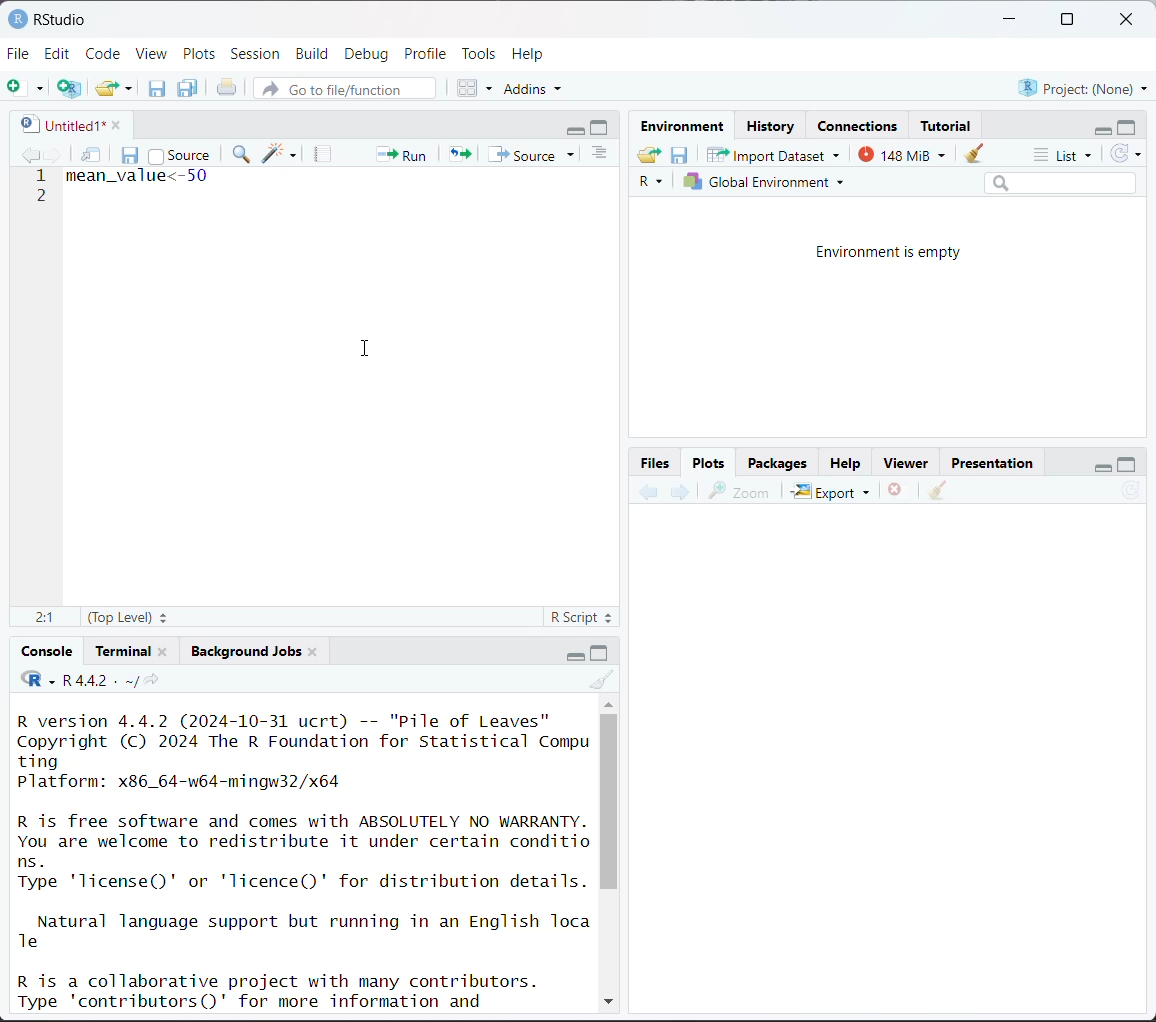  I want to click on File, so click(19, 53).